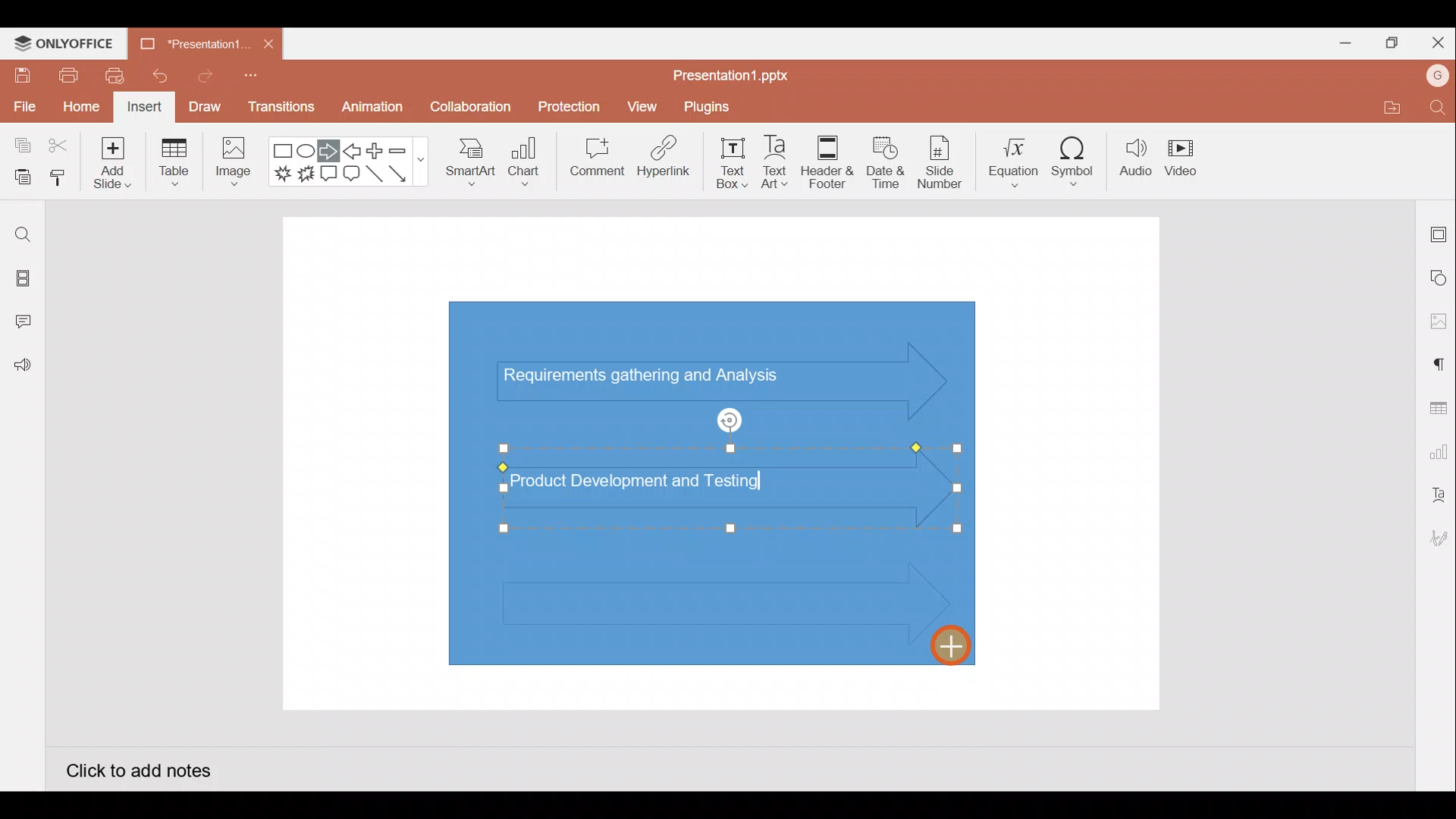 Image resolution: width=1456 pixels, height=819 pixels. I want to click on Quick print, so click(110, 76).